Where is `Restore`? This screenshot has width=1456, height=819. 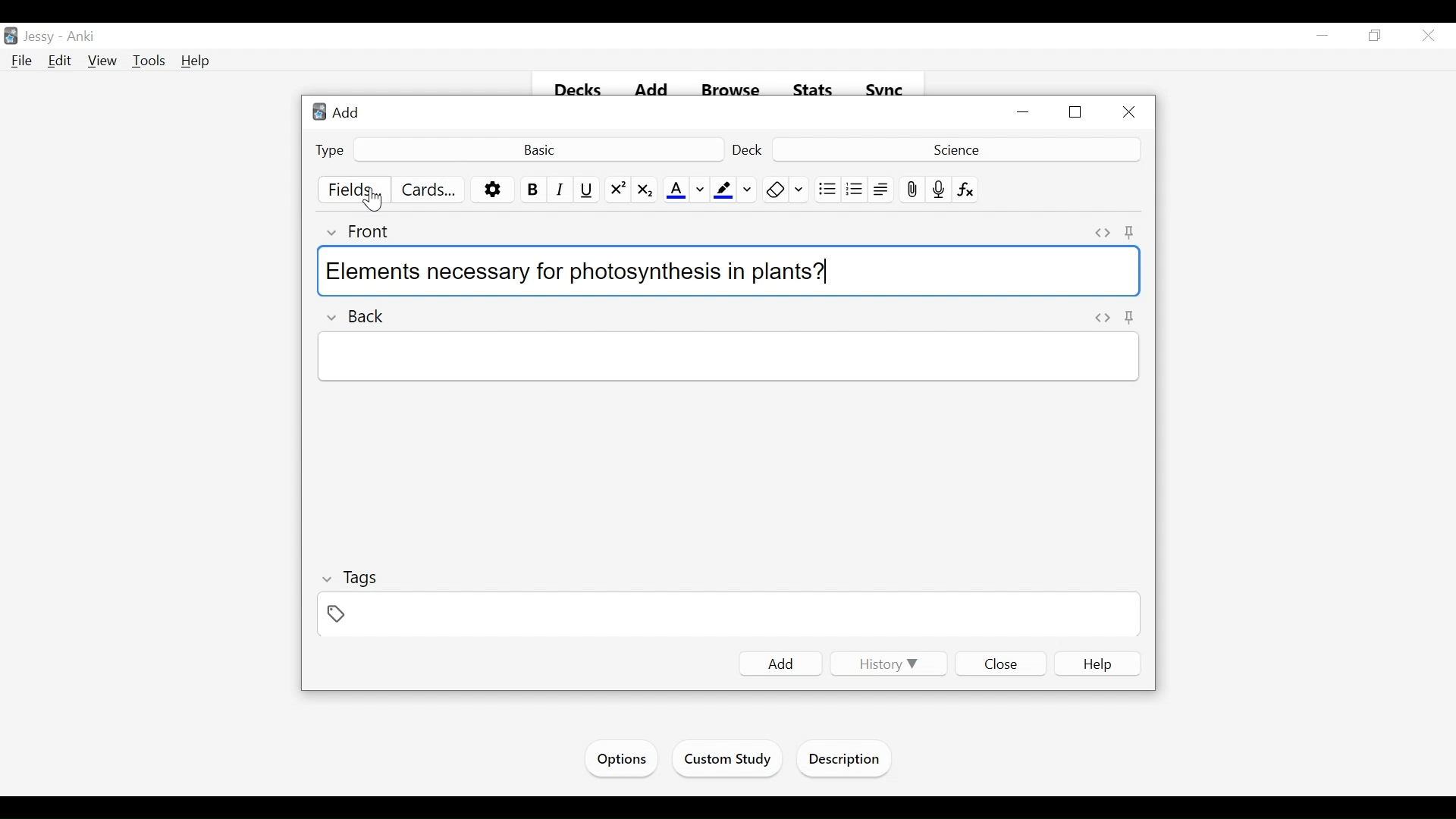
Restore is located at coordinates (1373, 36).